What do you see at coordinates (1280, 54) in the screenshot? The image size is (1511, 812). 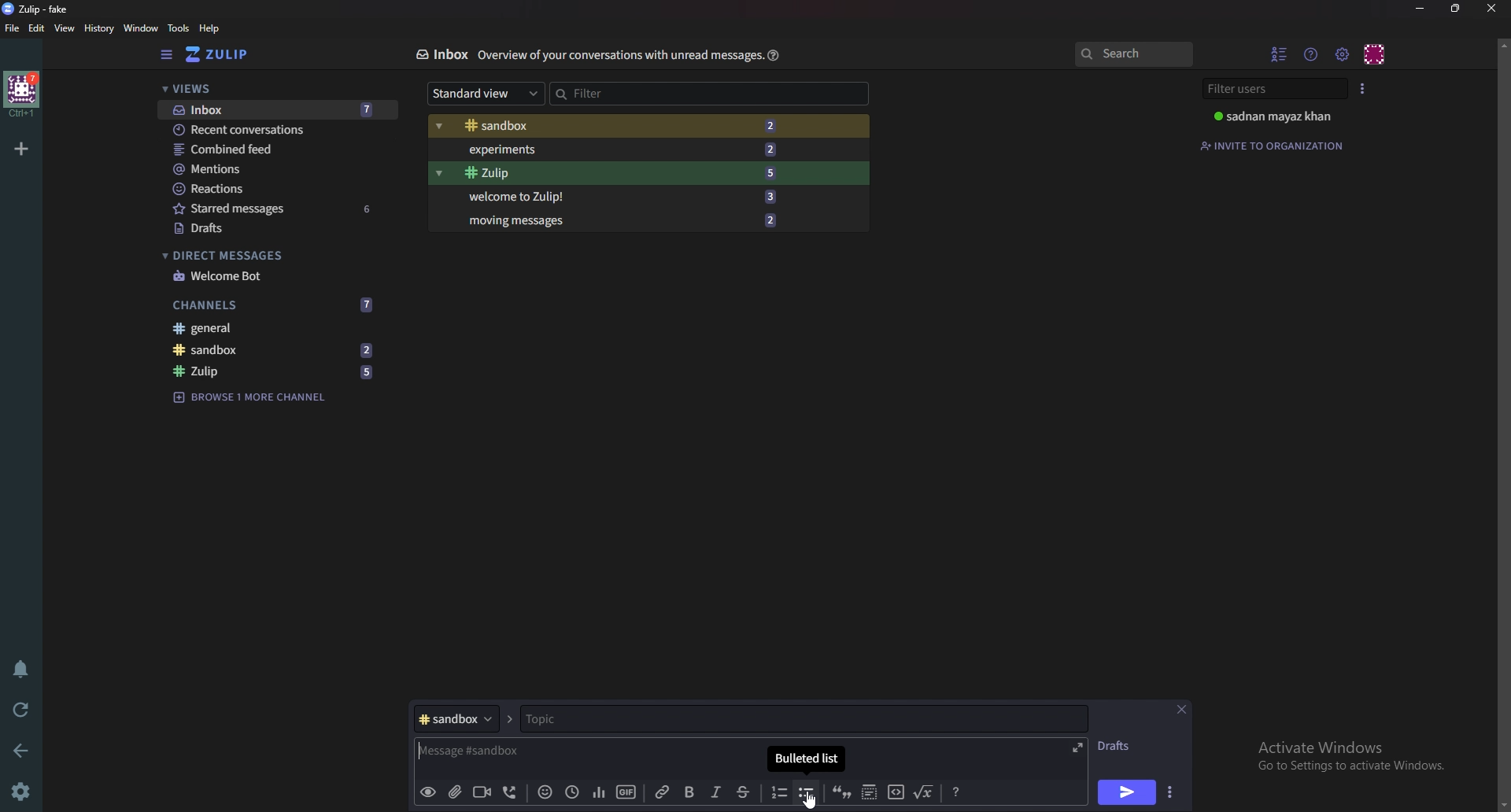 I see `Hide user list` at bounding box center [1280, 54].